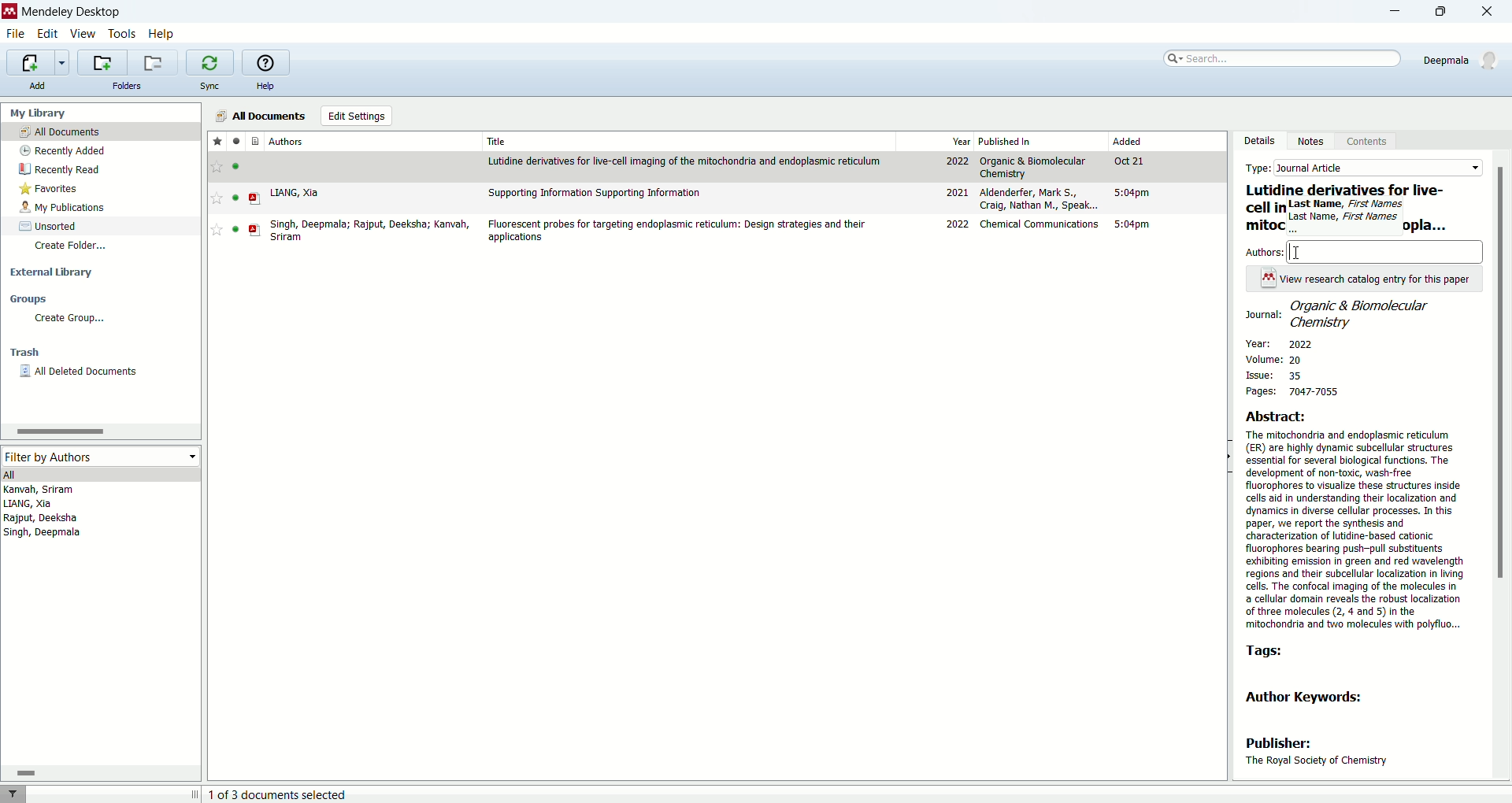  I want to click on Lutidine derivatives for live-cell imaging of the mitochondria and edoplasmic reticulum, so click(687, 161).